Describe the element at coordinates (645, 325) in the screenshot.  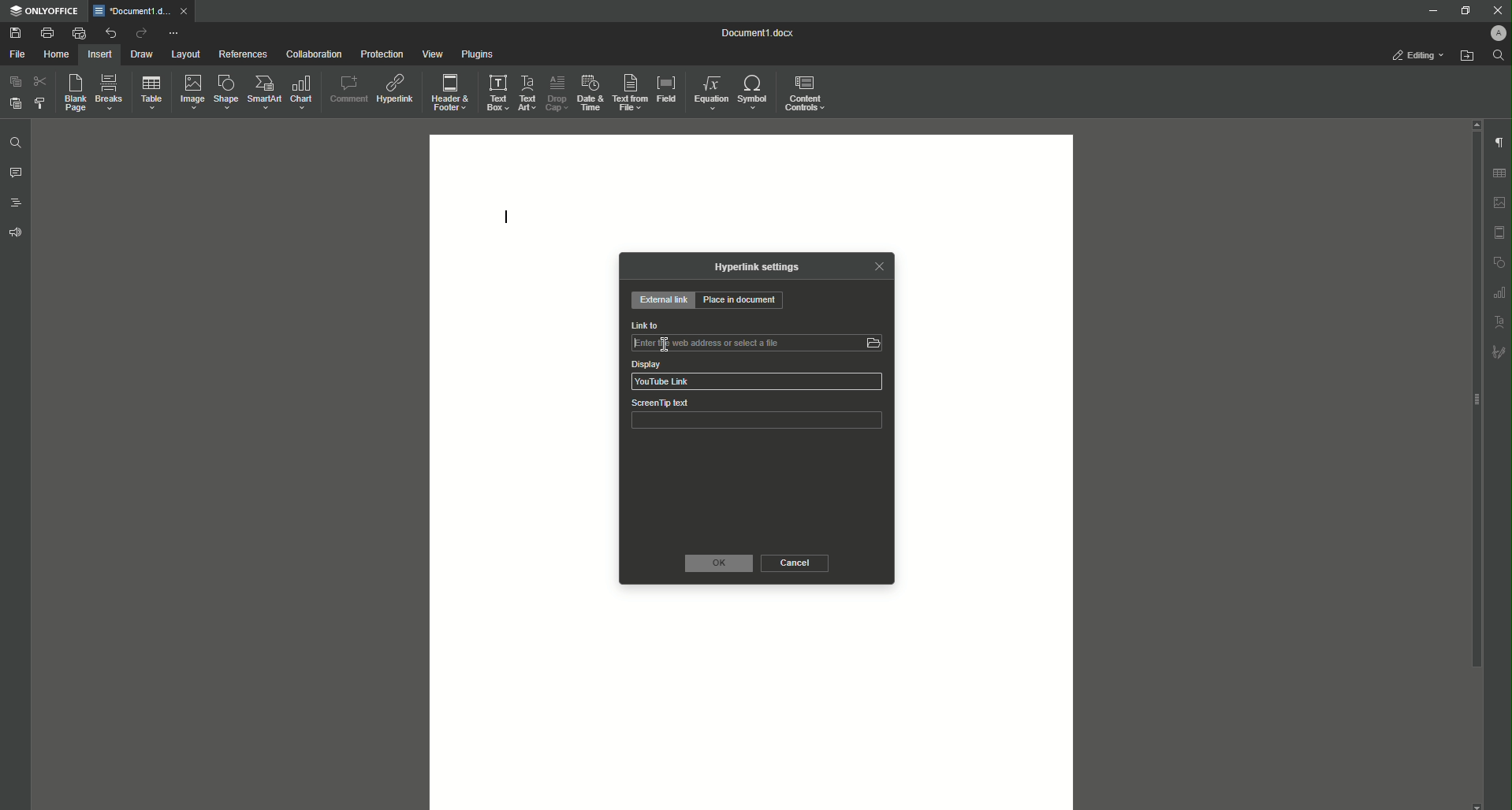
I see `Link to` at that location.